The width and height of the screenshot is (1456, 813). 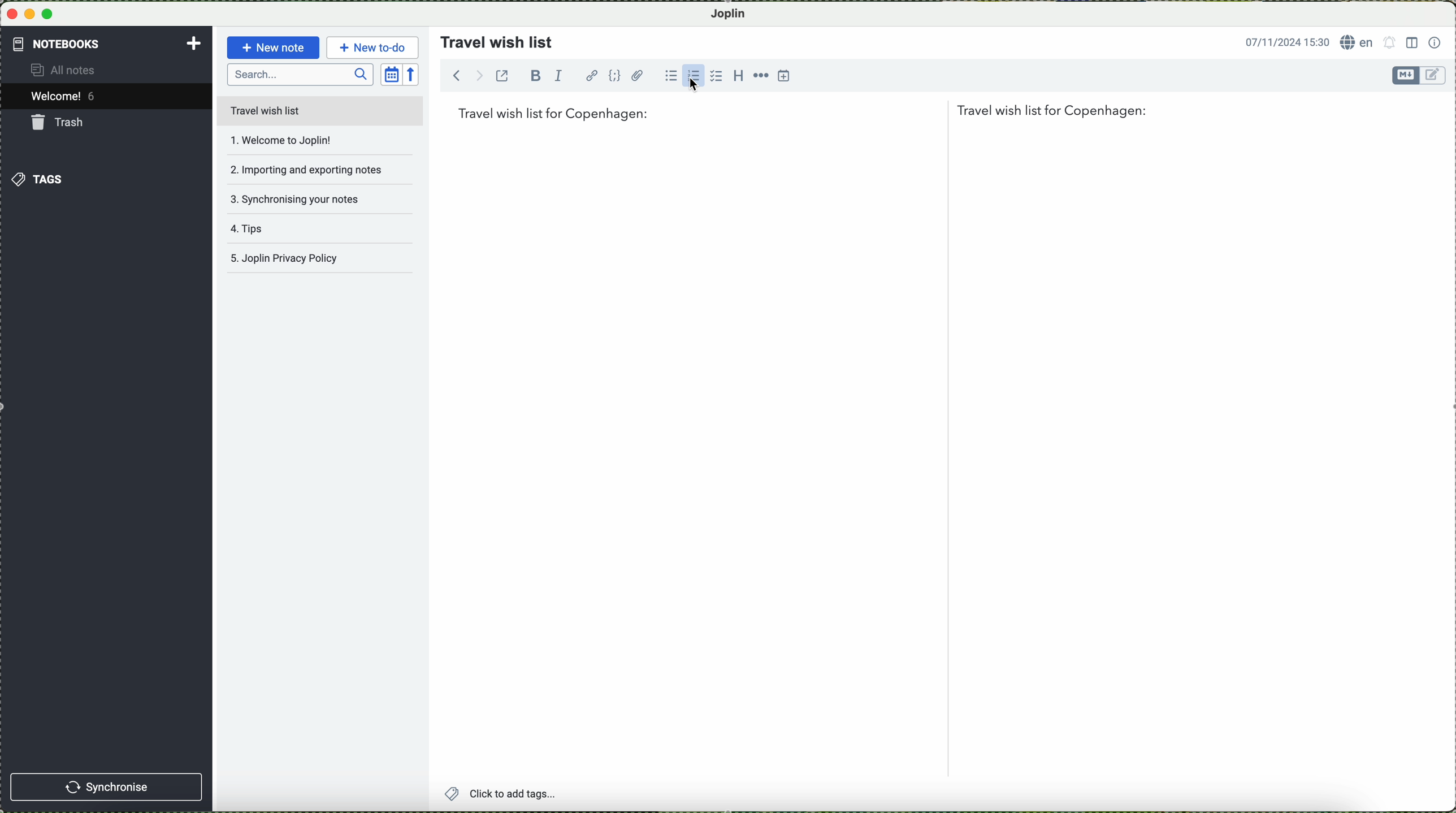 I want to click on note properties, so click(x=1435, y=41).